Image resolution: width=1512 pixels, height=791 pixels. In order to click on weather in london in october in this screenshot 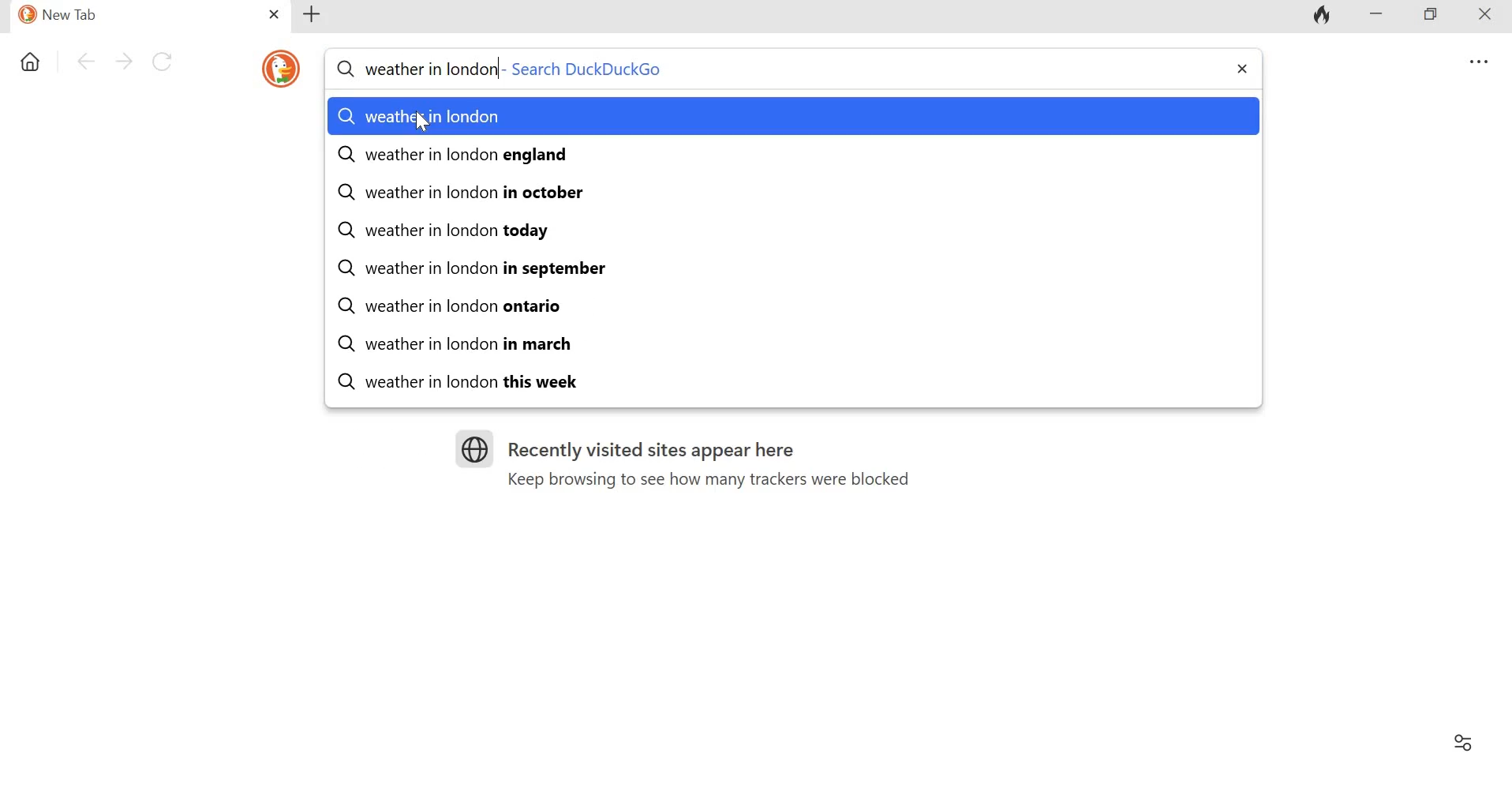, I will do `click(795, 193)`.